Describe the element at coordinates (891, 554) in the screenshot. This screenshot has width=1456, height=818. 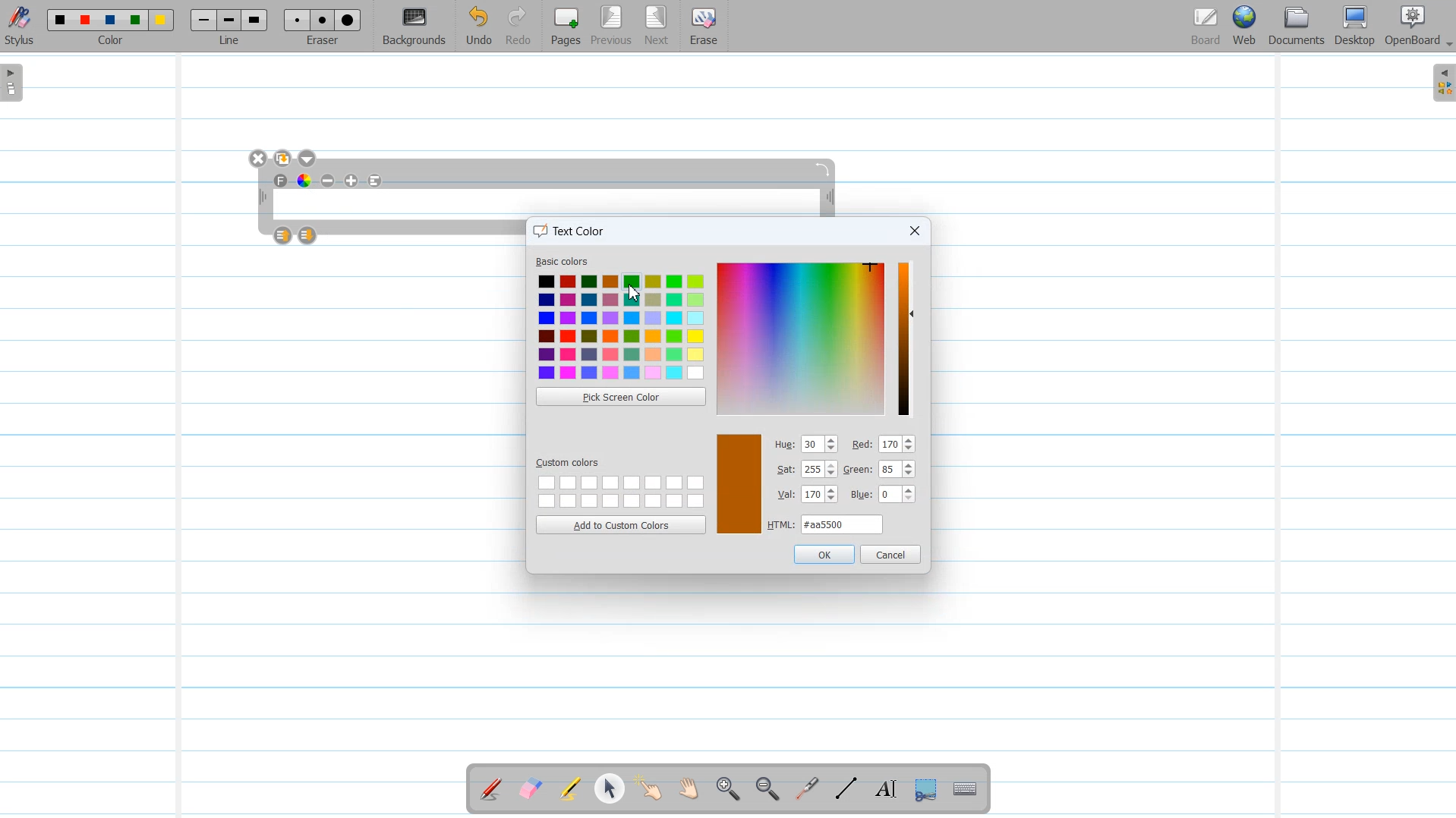
I see `Cancel` at that location.